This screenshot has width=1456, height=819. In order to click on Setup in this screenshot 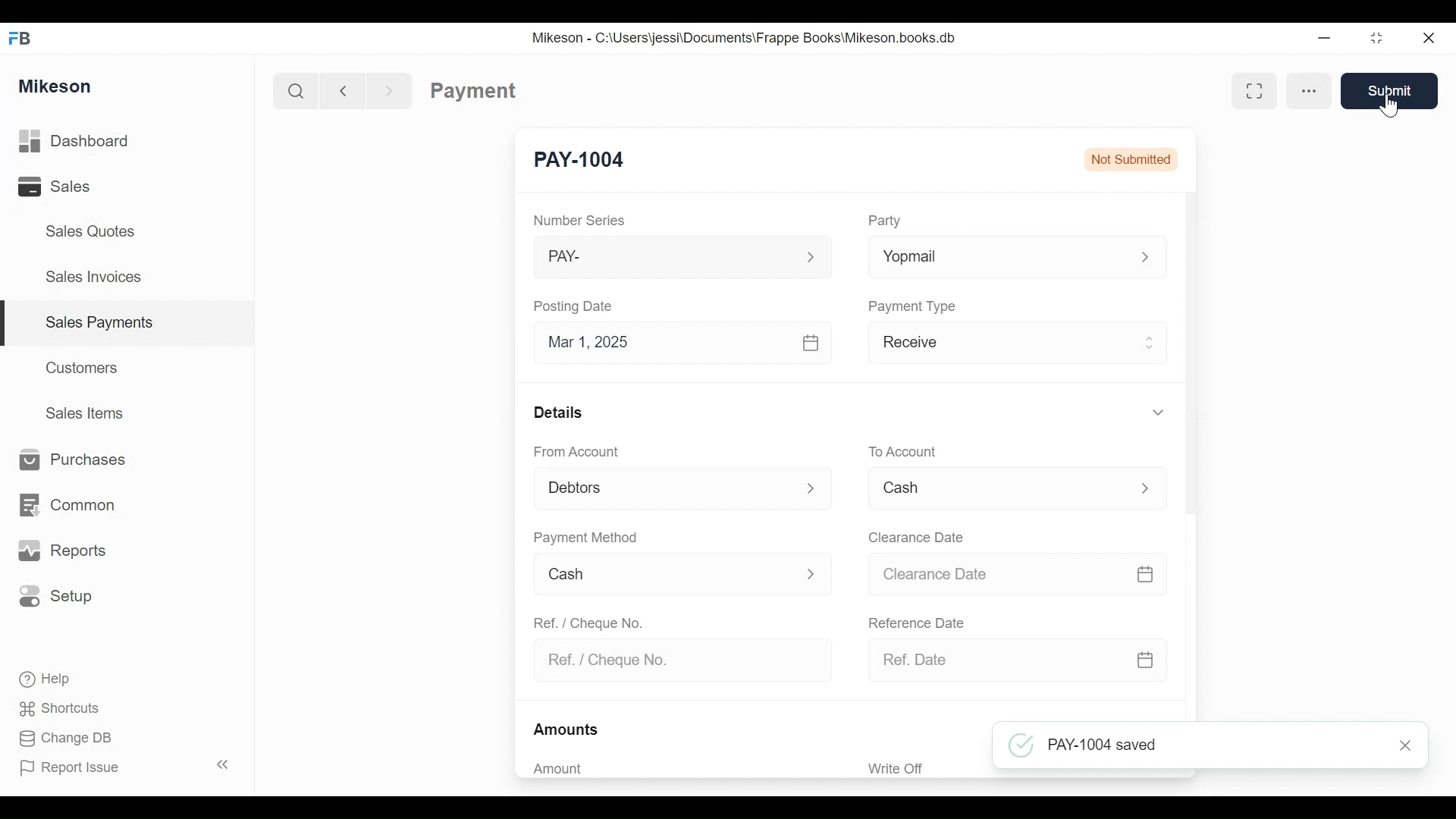, I will do `click(61, 597)`.